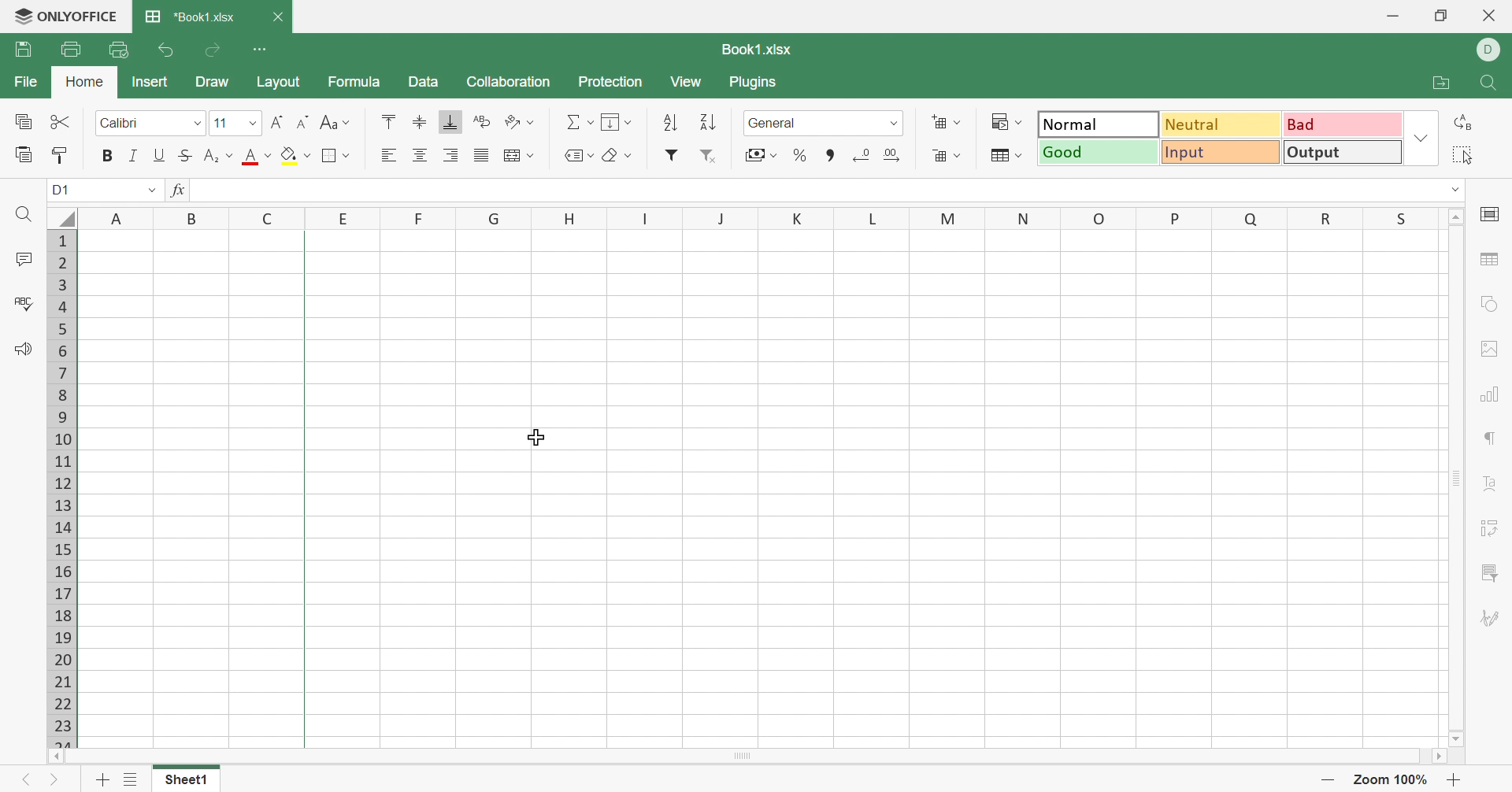 Image resolution: width=1512 pixels, height=792 pixels. Describe the element at coordinates (22, 216) in the screenshot. I see `Find` at that location.